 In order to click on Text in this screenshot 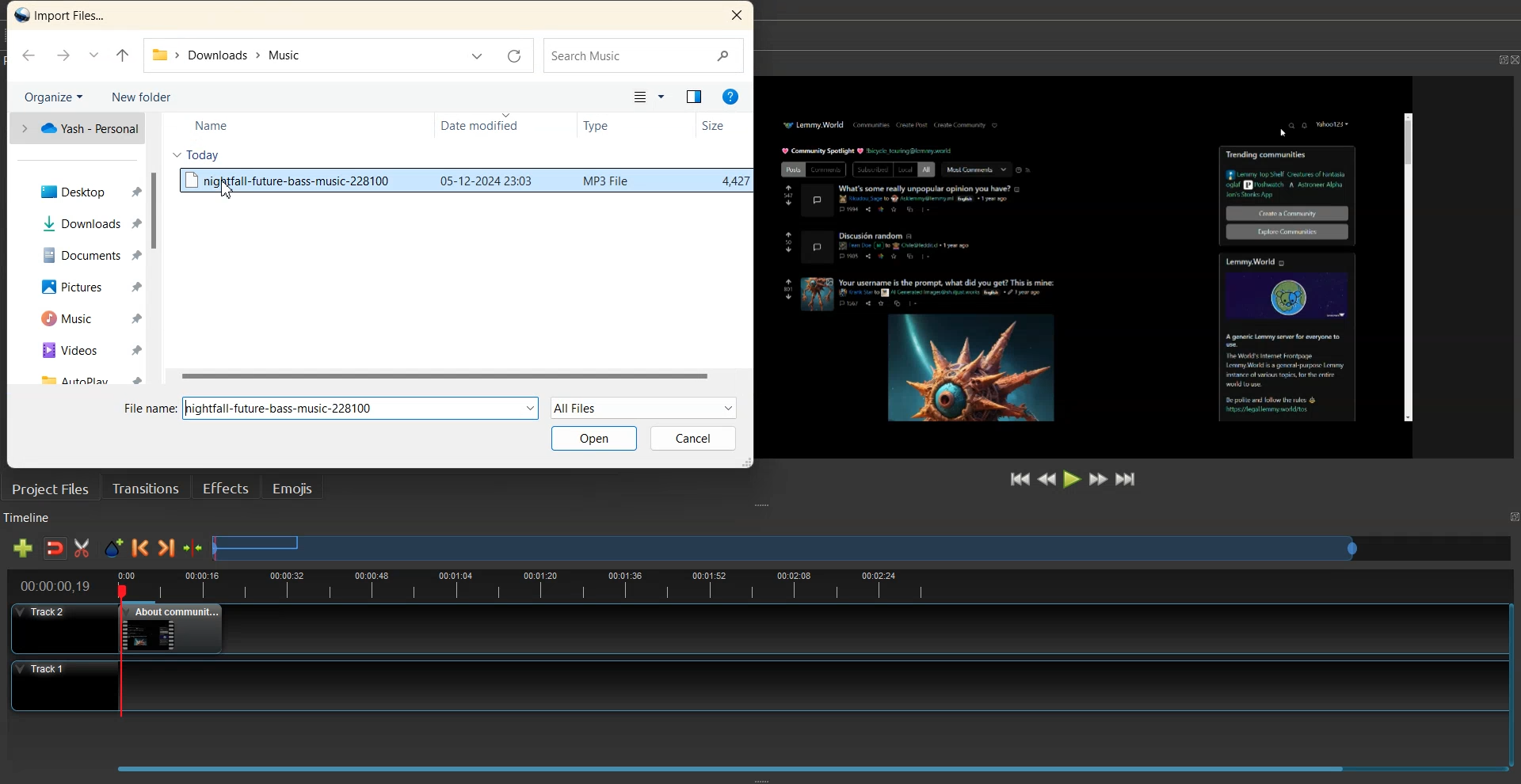, I will do `click(62, 16)`.